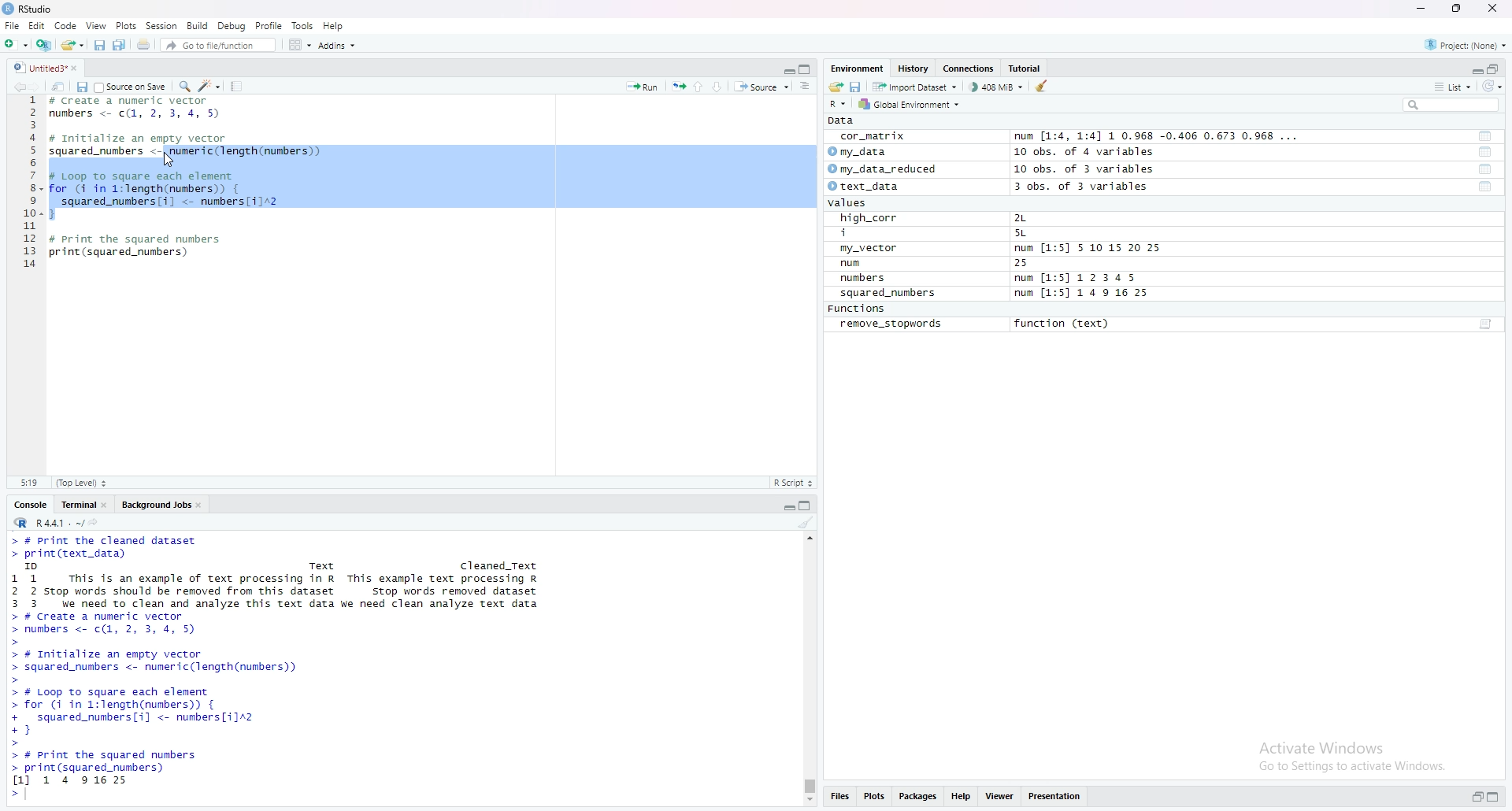 The width and height of the screenshot is (1512, 811). Describe the element at coordinates (1091, 187) in the screenshot. I see `3 obs. of 3 variables` at that location.